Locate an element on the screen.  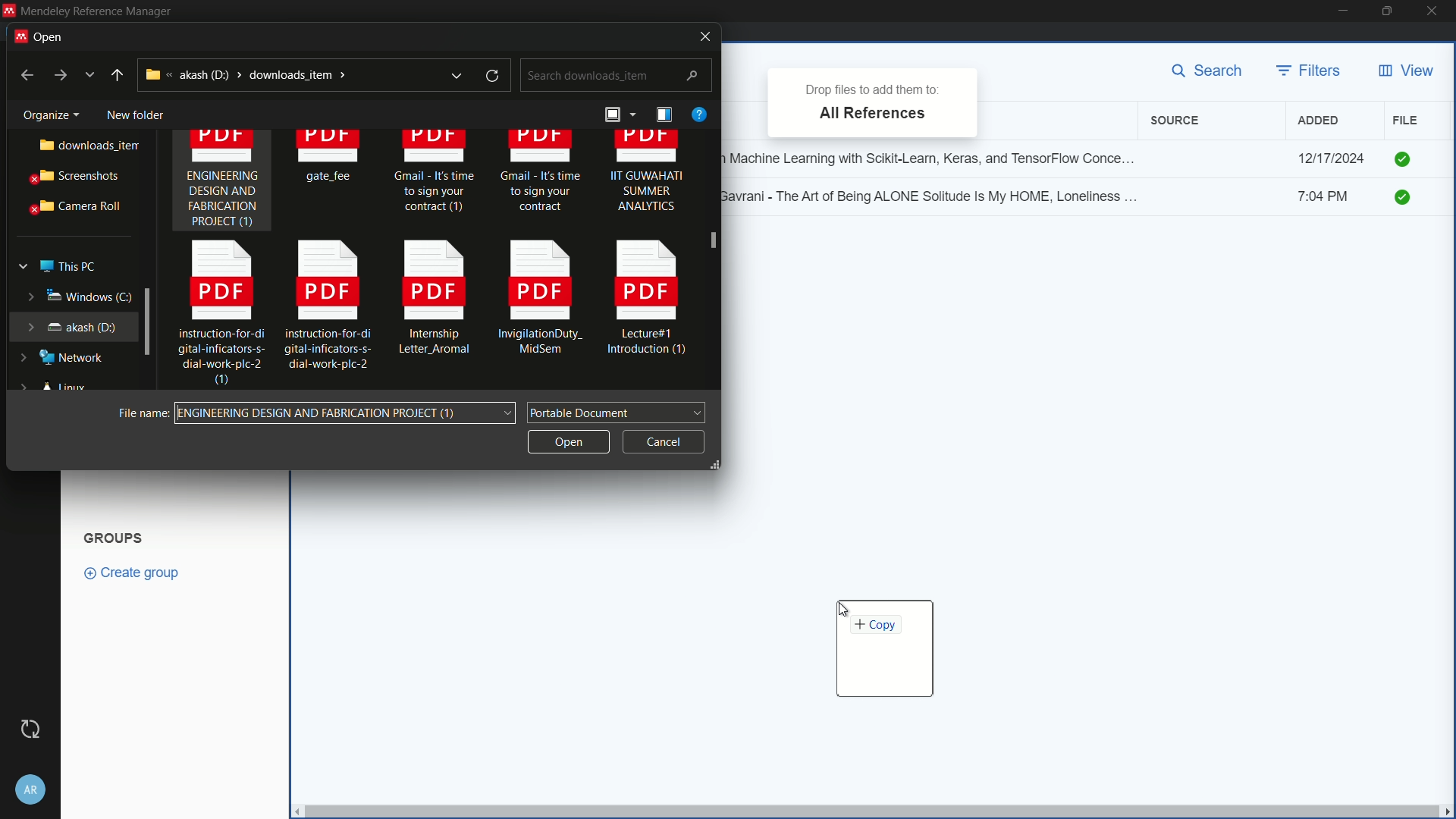
Mendeley Reference Manager is located at coordinates (96, 11).